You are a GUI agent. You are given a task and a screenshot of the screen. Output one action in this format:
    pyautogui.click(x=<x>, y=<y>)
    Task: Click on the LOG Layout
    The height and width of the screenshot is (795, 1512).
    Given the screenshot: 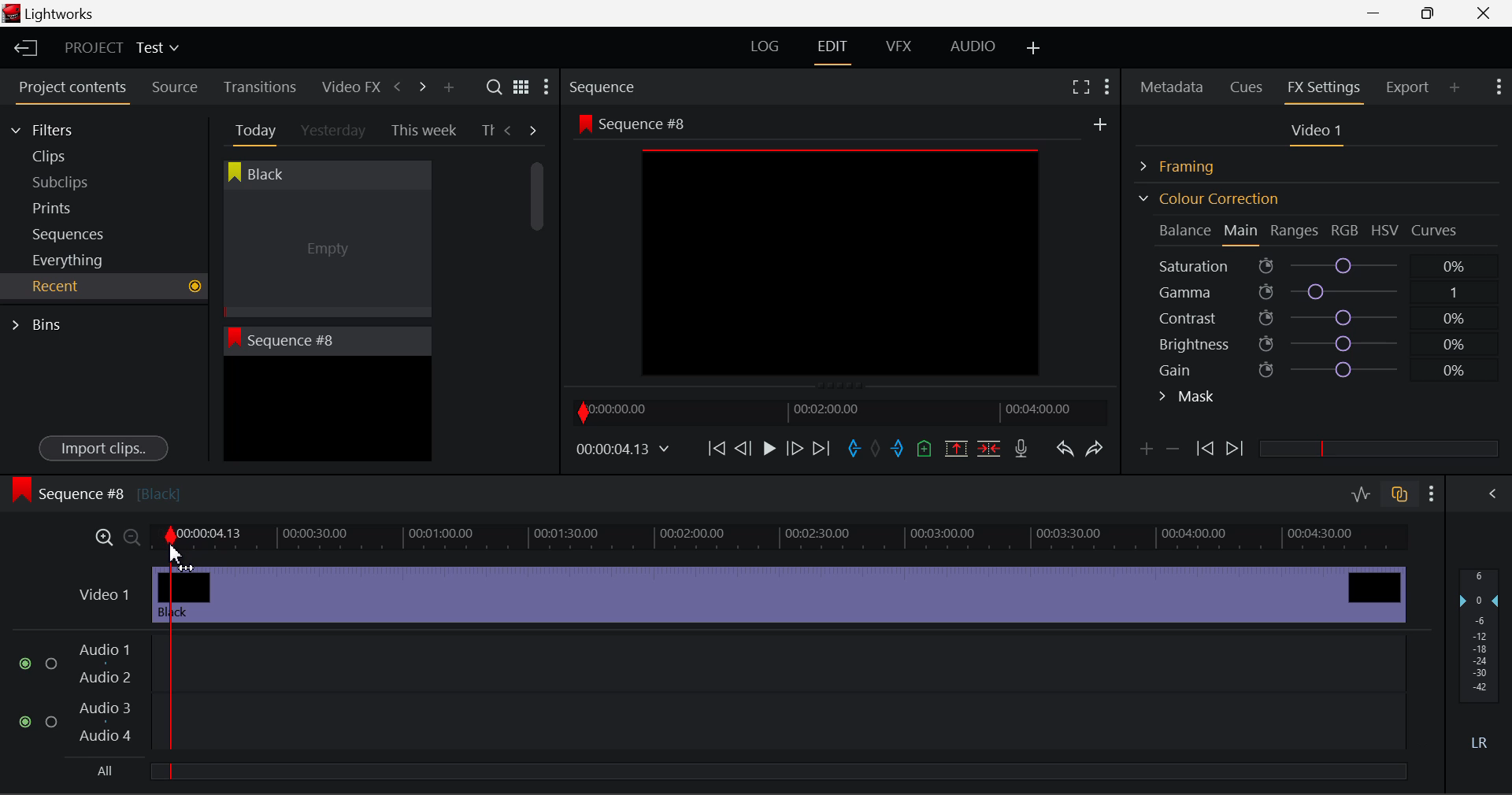 What is the action you would take?
    pyautogui.click(x=764, y=46)
    